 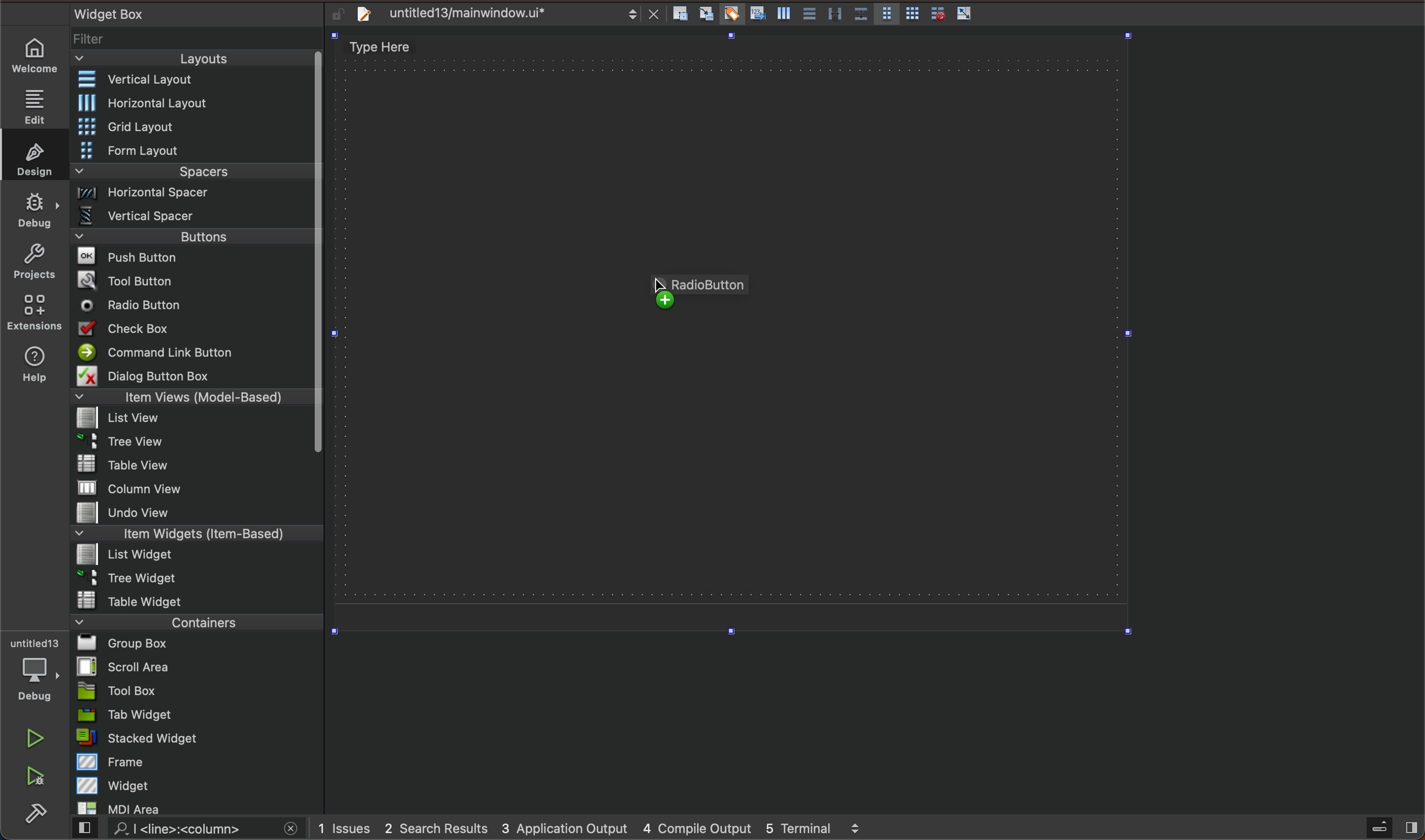 I want to click on table view, so click(x=197, y=465).